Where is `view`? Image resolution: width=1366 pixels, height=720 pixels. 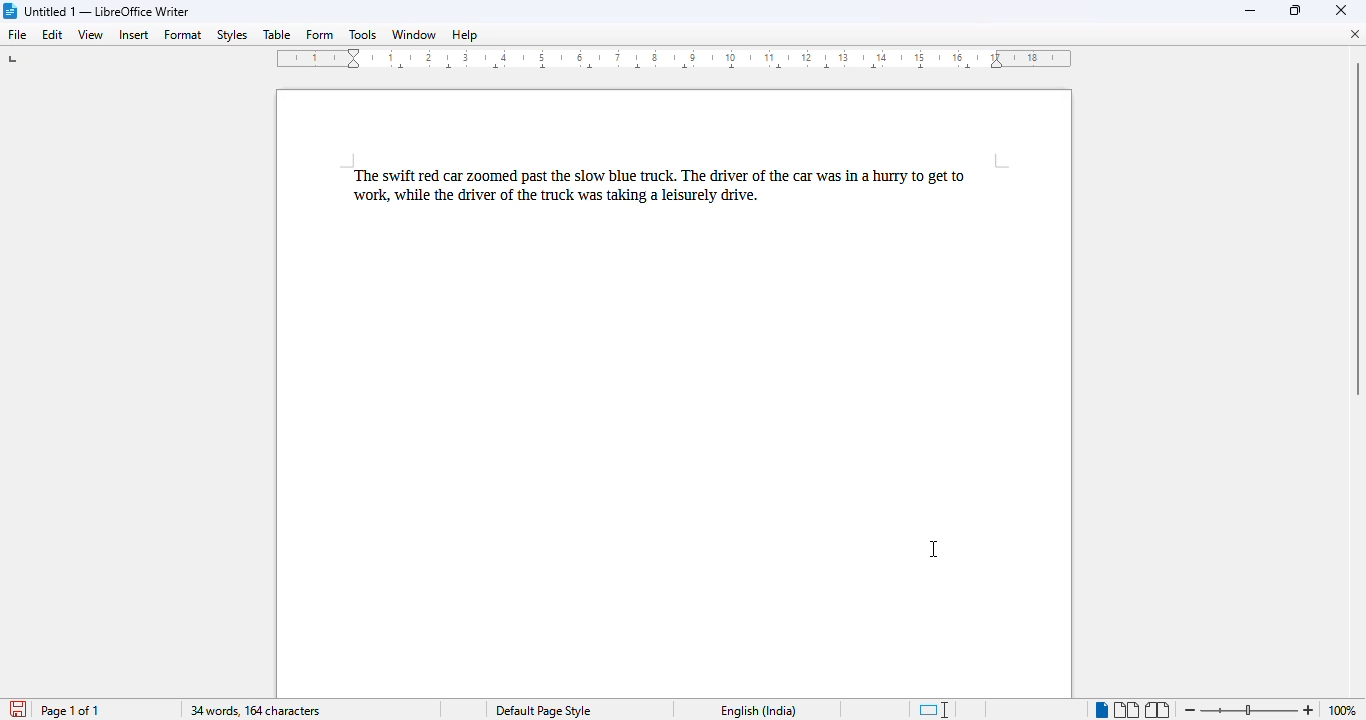 view is located at coordinates (90, 34).